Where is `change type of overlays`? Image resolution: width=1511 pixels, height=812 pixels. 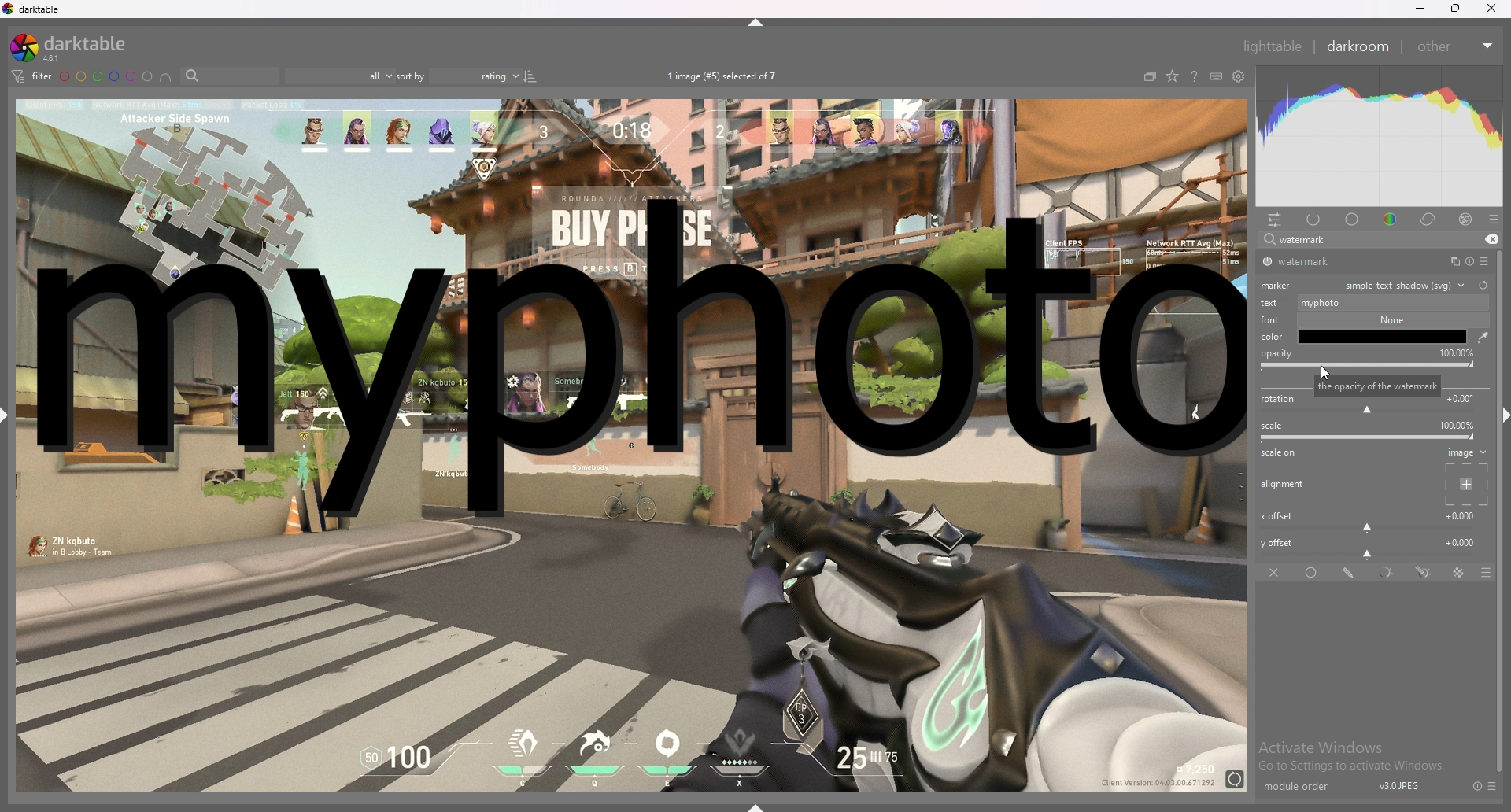
change type of overlays is located at coordinates (1172, 77).